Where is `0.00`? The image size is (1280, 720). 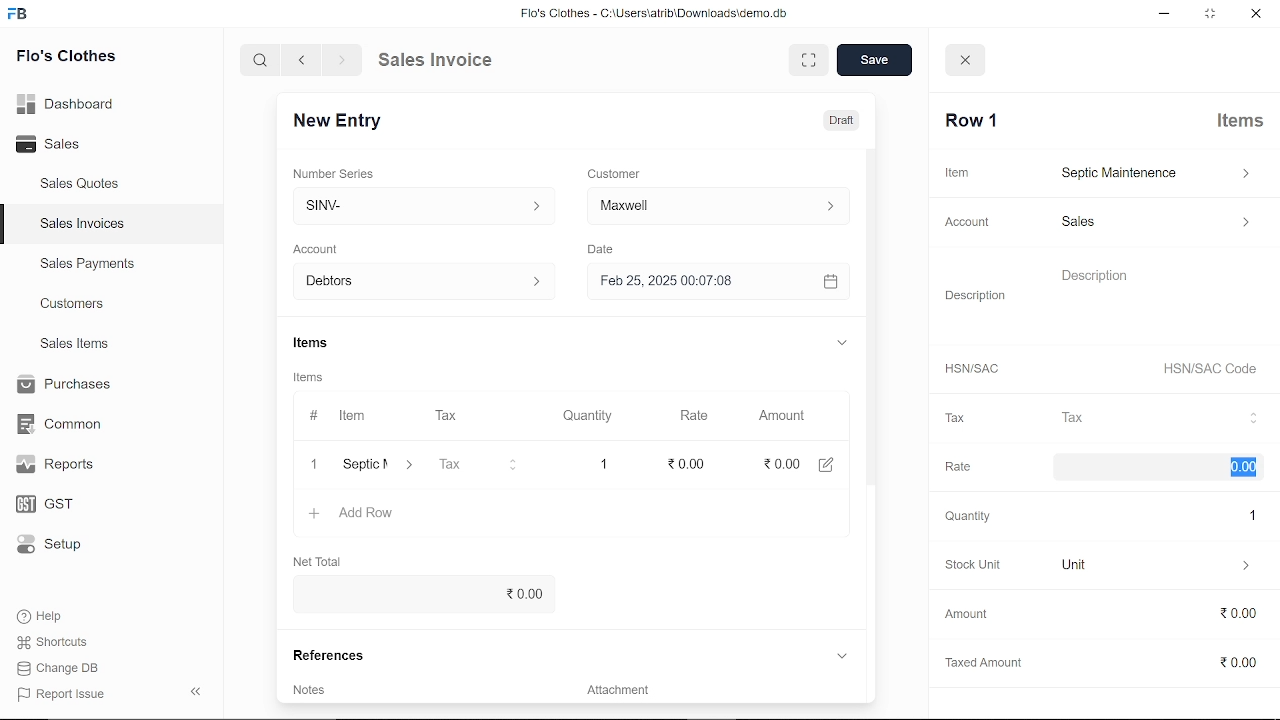 0.00 is located at coordinates (422, 592).